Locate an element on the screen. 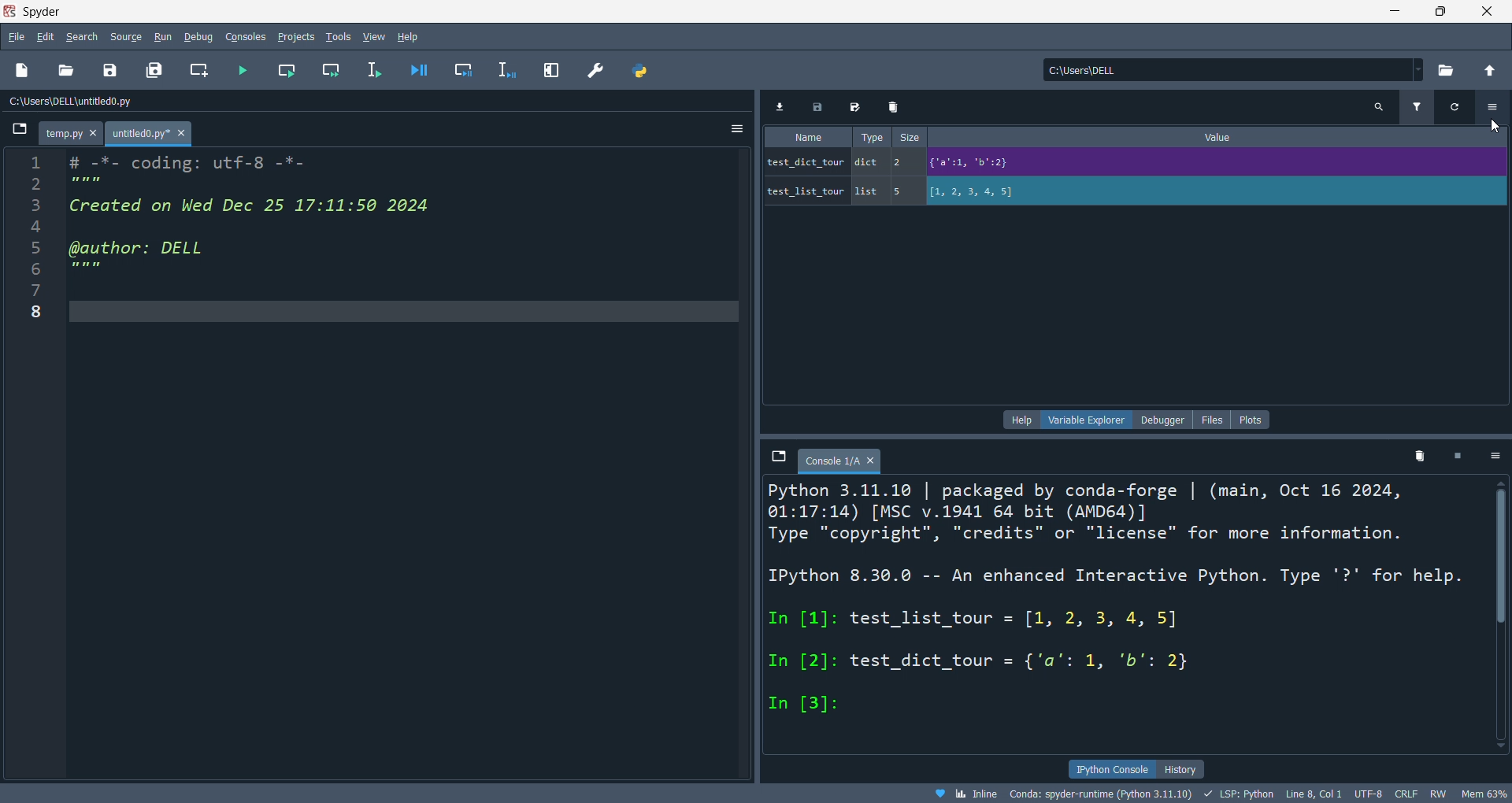 The height and width of the screenshot is (803, 1512). save as is located at coordinates (854, 105).